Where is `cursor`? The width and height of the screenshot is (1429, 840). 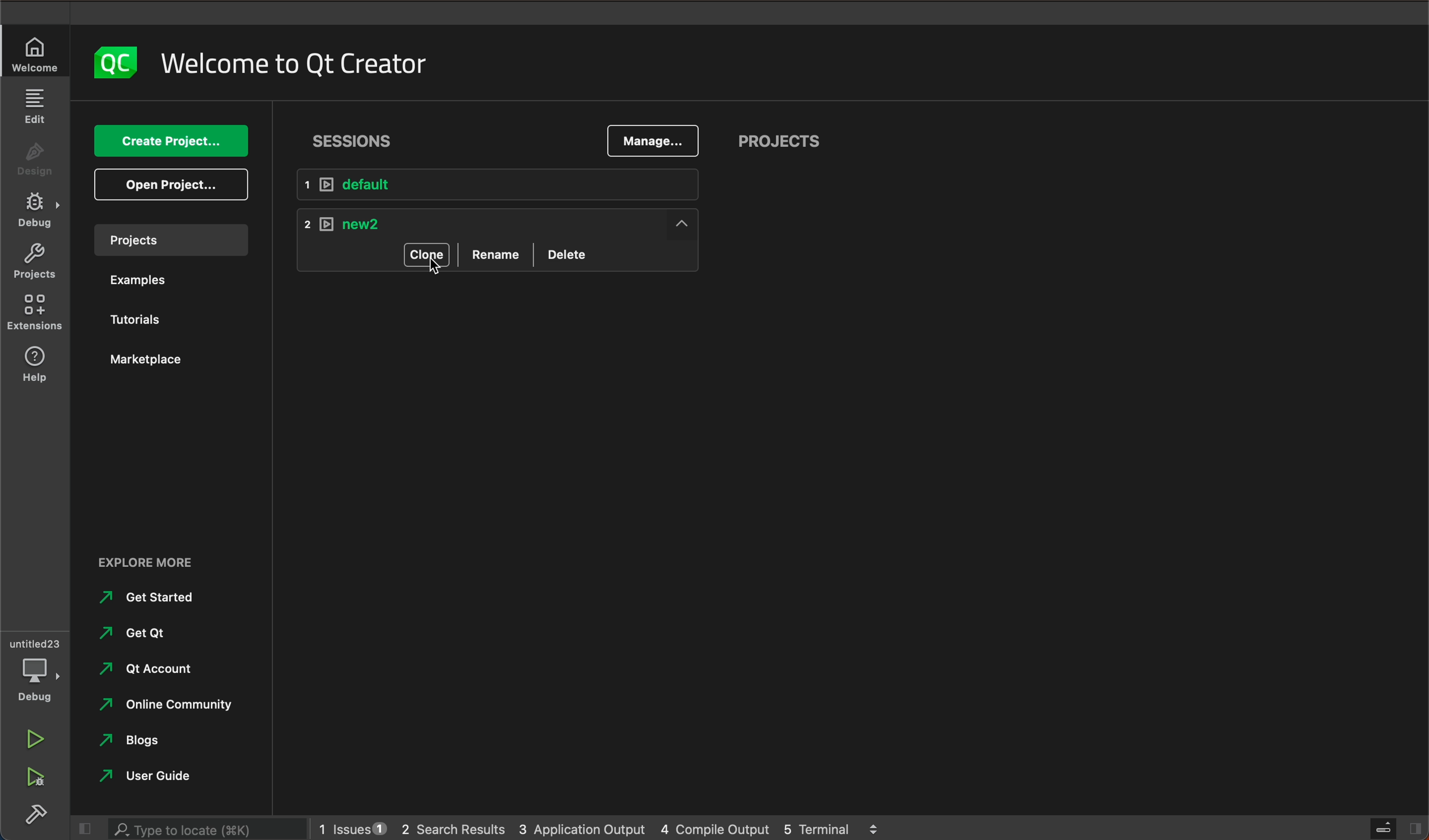 cursor is located at coordinates (436, 271).